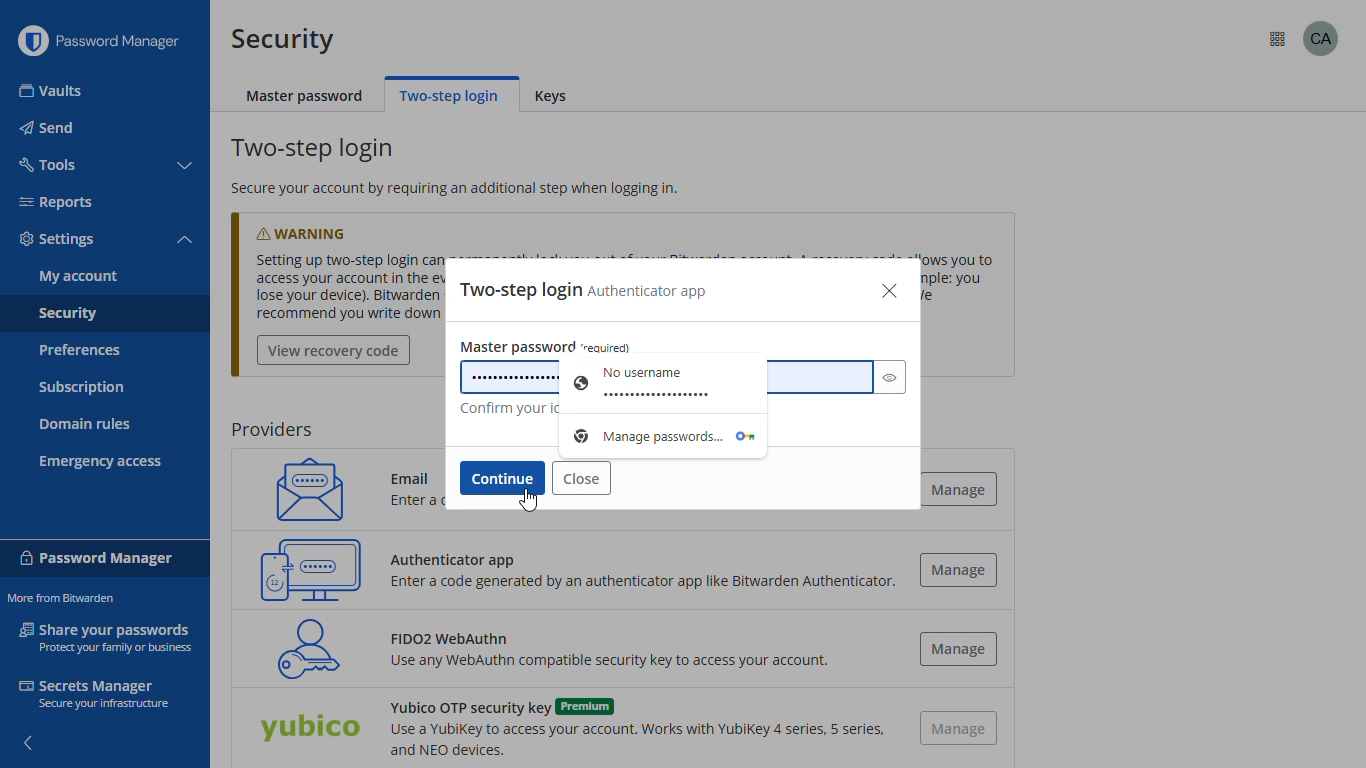 This screenshot has height=768, width=1366. I want to click on close, so click(891, 292).